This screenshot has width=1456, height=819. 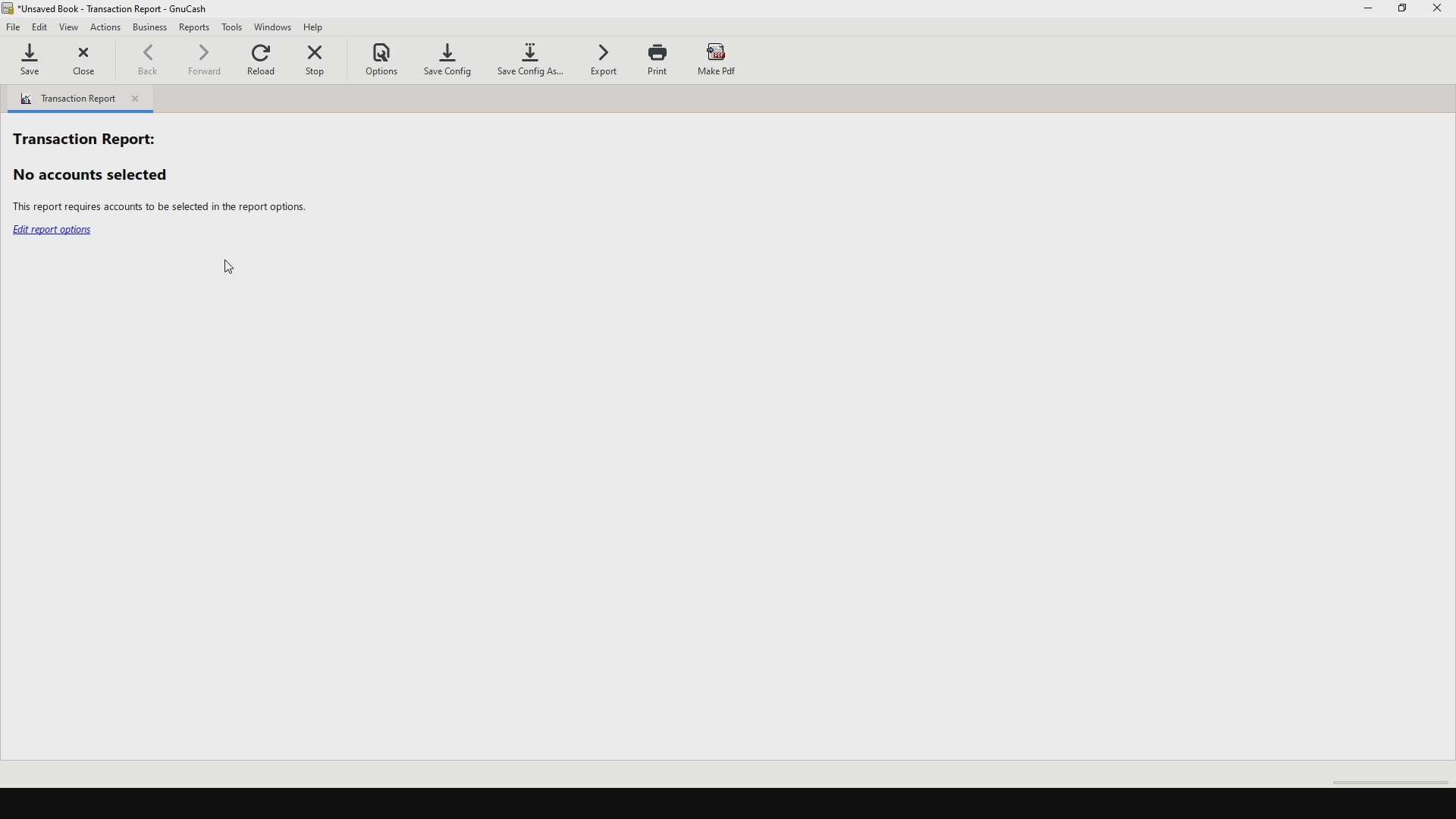 What do you see at coordinates (106, 28) in the screenshot?
I see `actions` at bounding box center [106, 28].